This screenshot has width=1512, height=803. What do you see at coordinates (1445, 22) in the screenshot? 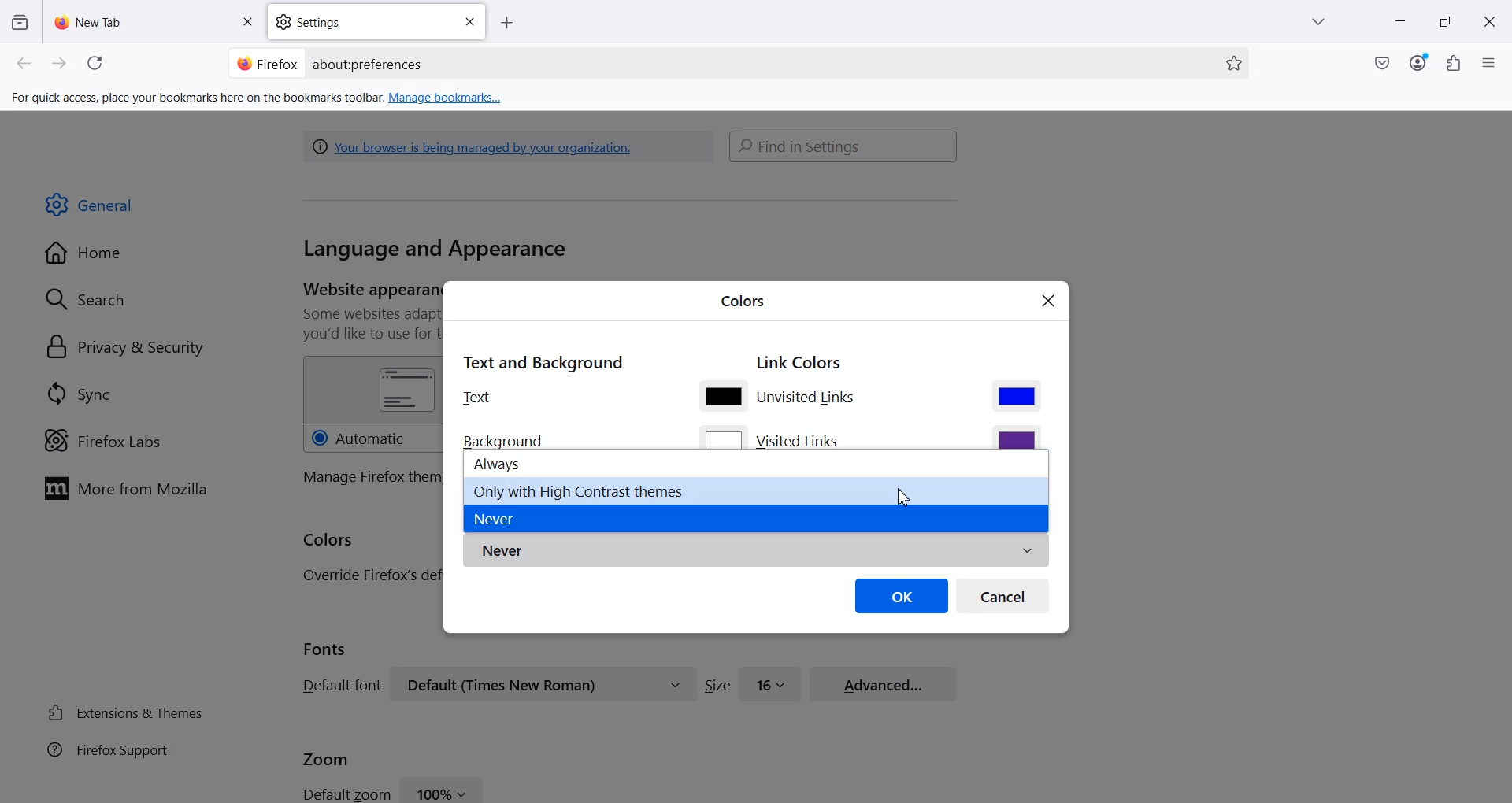
I see `Maximize` at bounding box center [1445, 22].